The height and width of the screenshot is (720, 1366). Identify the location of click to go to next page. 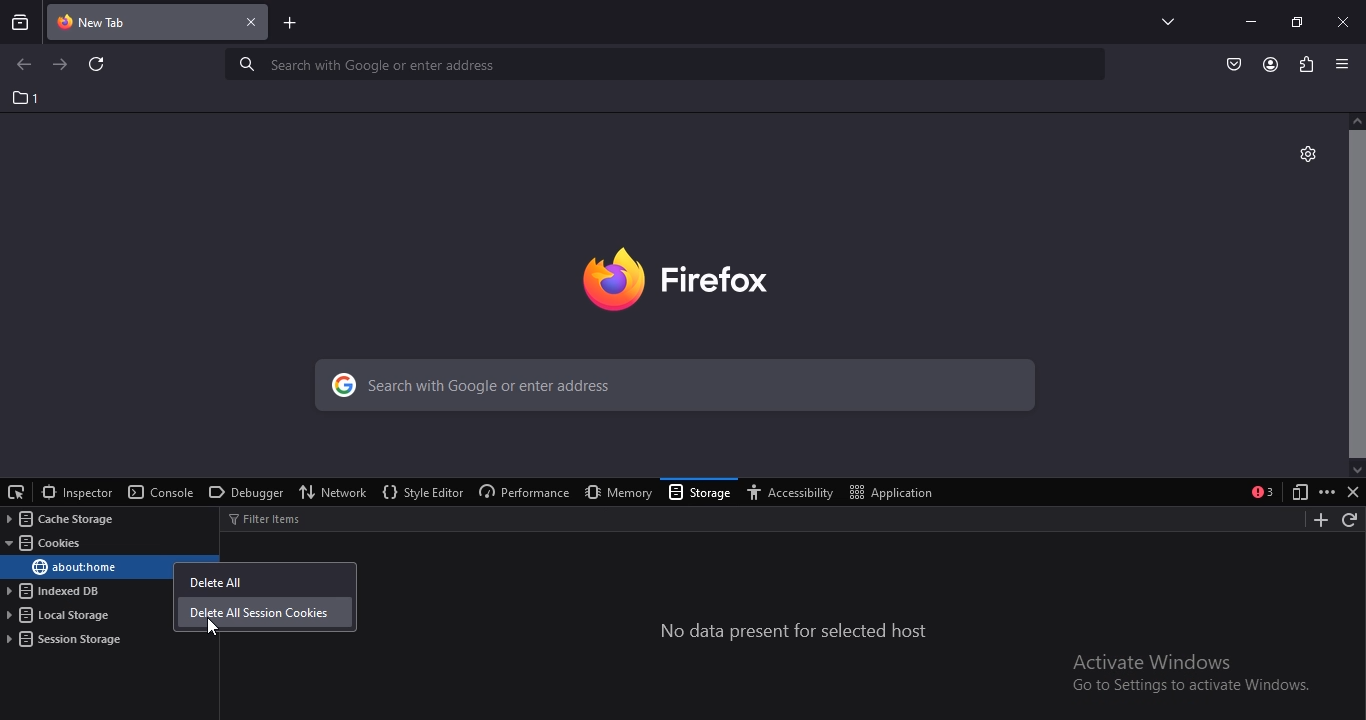
(61, 63).